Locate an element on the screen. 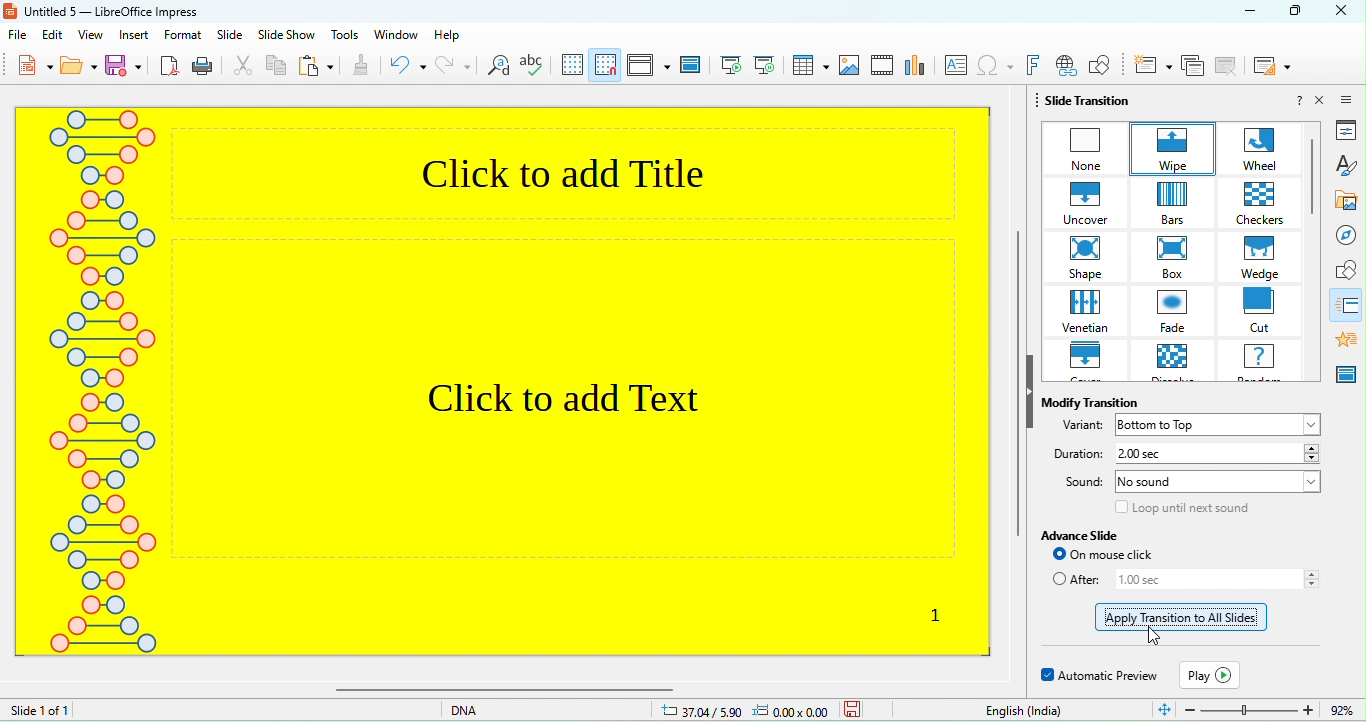 The height and width of the screenshot is (722, 1366). play is located at coordinates (1211, 673).